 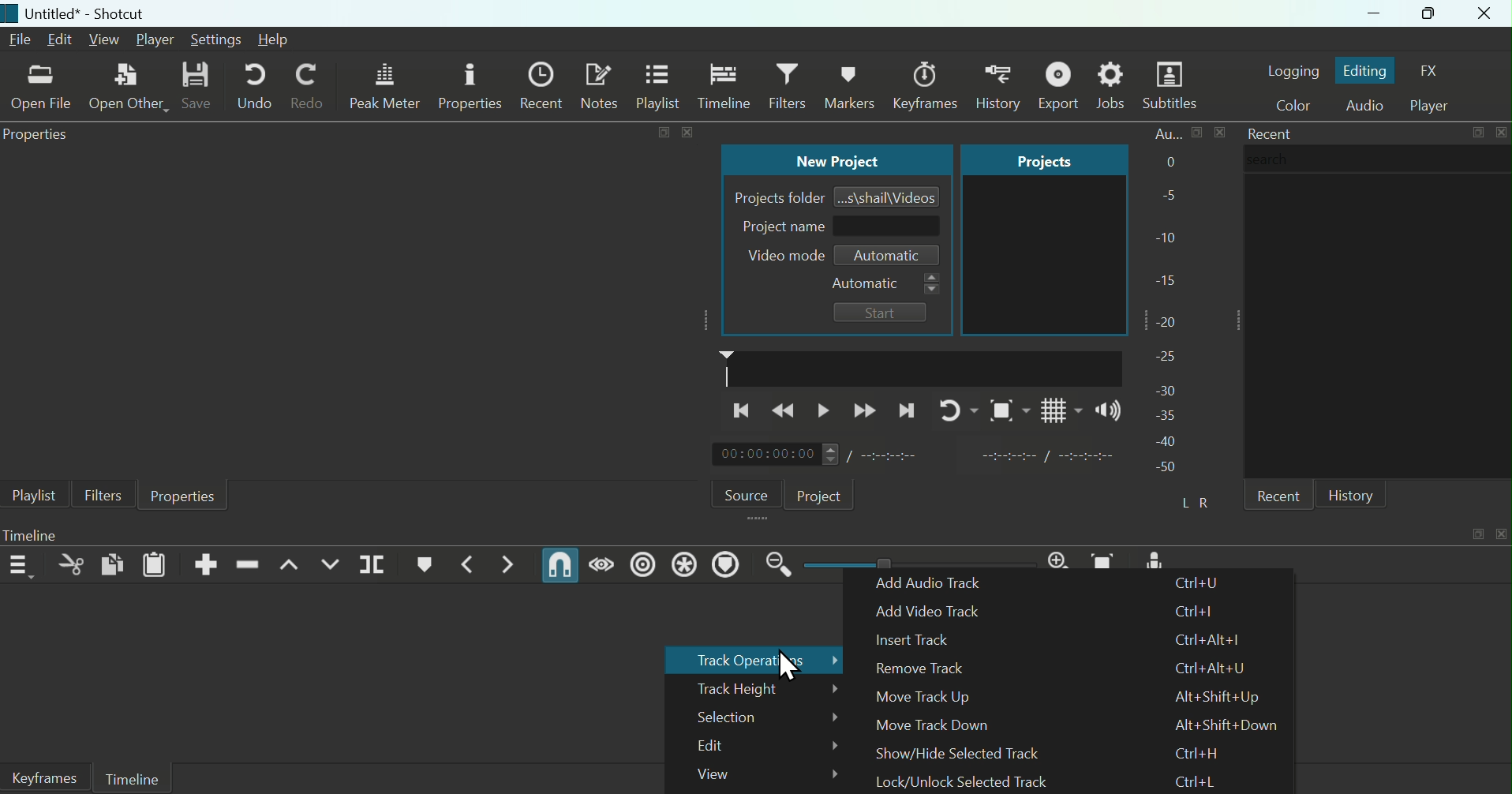 What do you see at coordinates (102, 493) in the screenshot?
I see `Filters` at bounding box center [102, 493].